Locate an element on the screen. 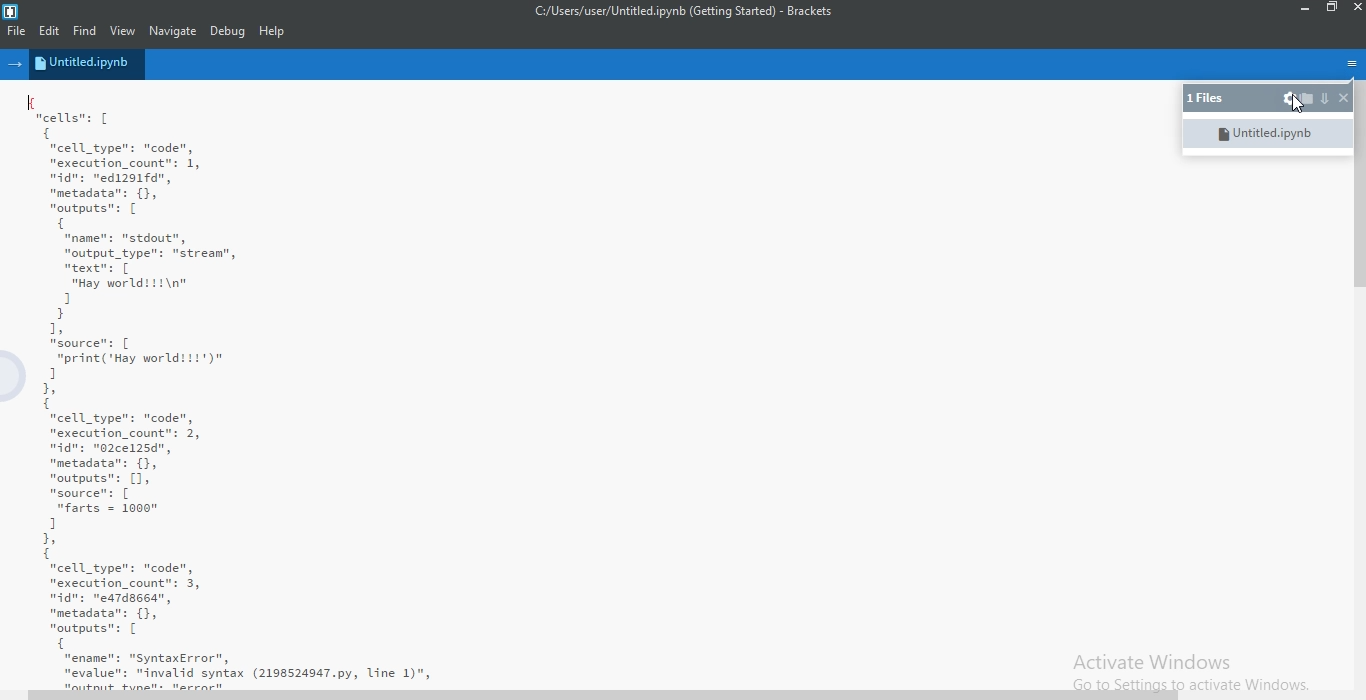 The image size is (1366, 700). File is located at coordinates (16, 32).